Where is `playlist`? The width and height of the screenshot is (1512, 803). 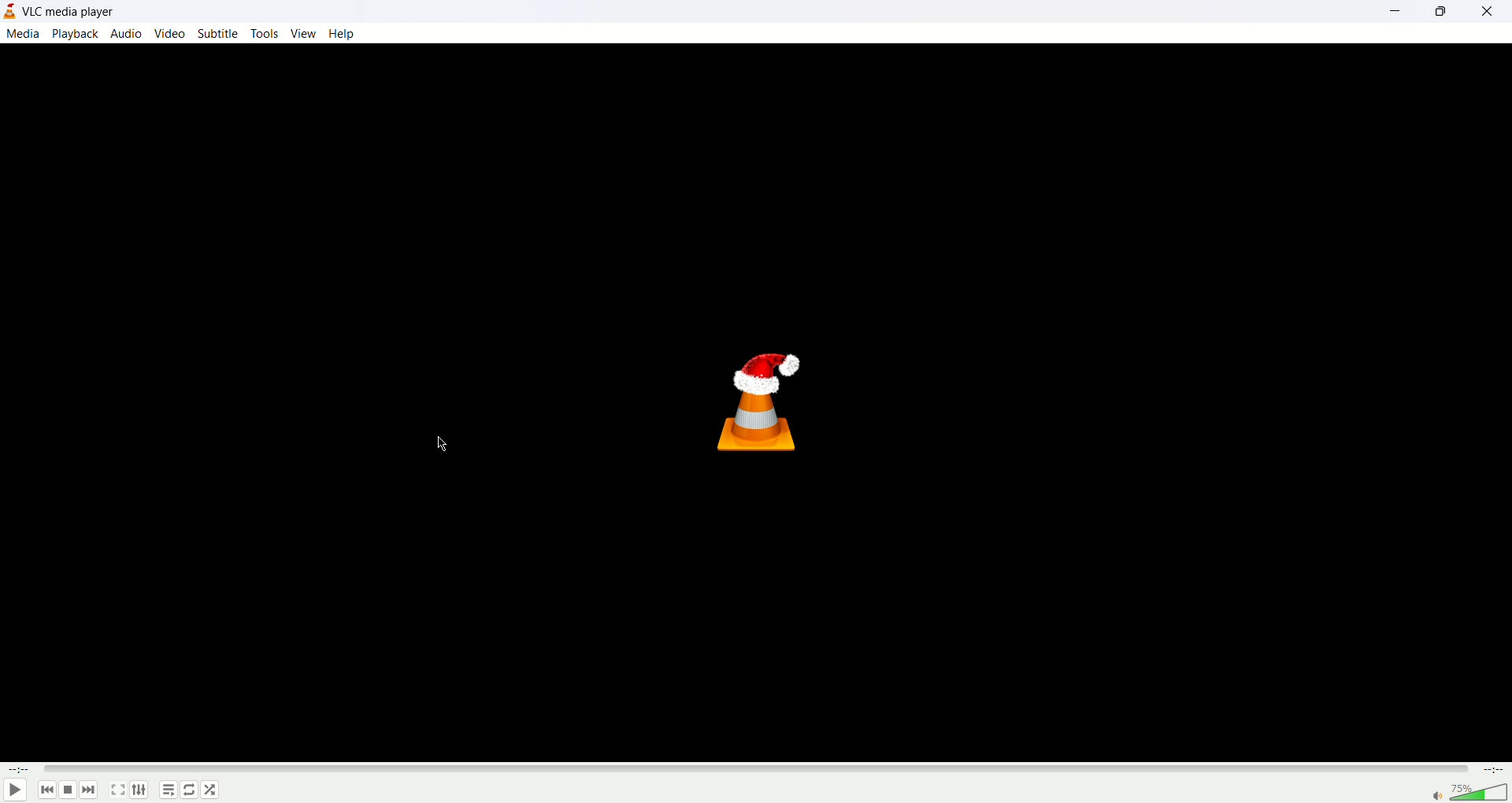
playlist is located at coordinates (168, 790).